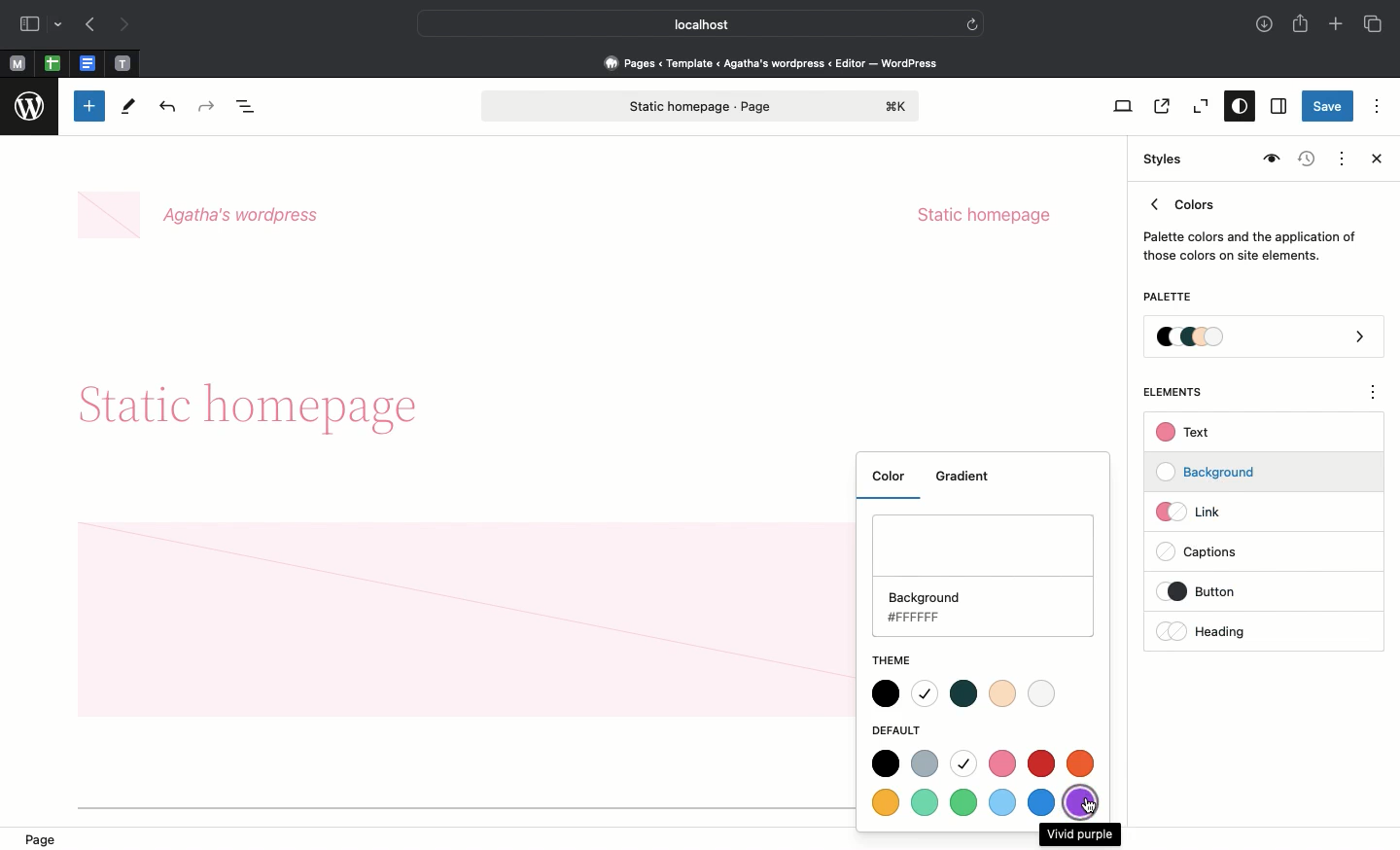  What do you see at coordinates (964, 695) in the screenshot?
I see `Theme colors` at bounding box center [964, 695].